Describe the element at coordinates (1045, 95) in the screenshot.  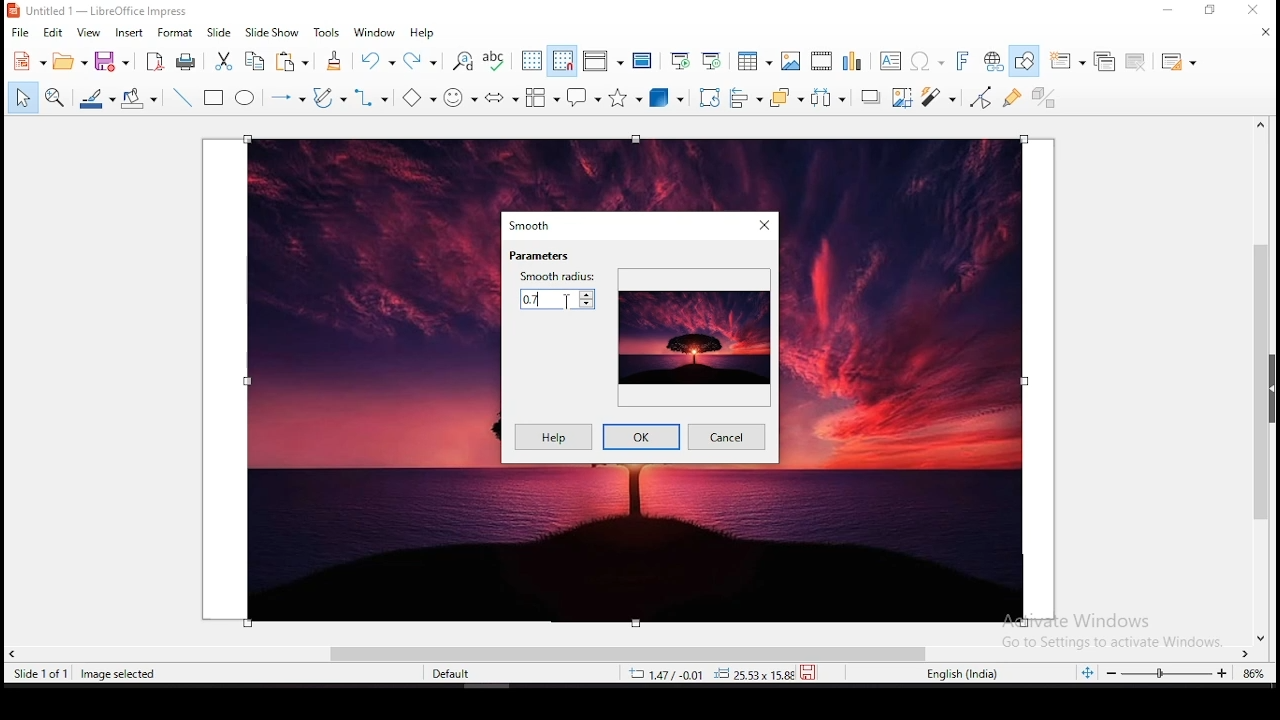
I see `toggle extrusion` at that location.